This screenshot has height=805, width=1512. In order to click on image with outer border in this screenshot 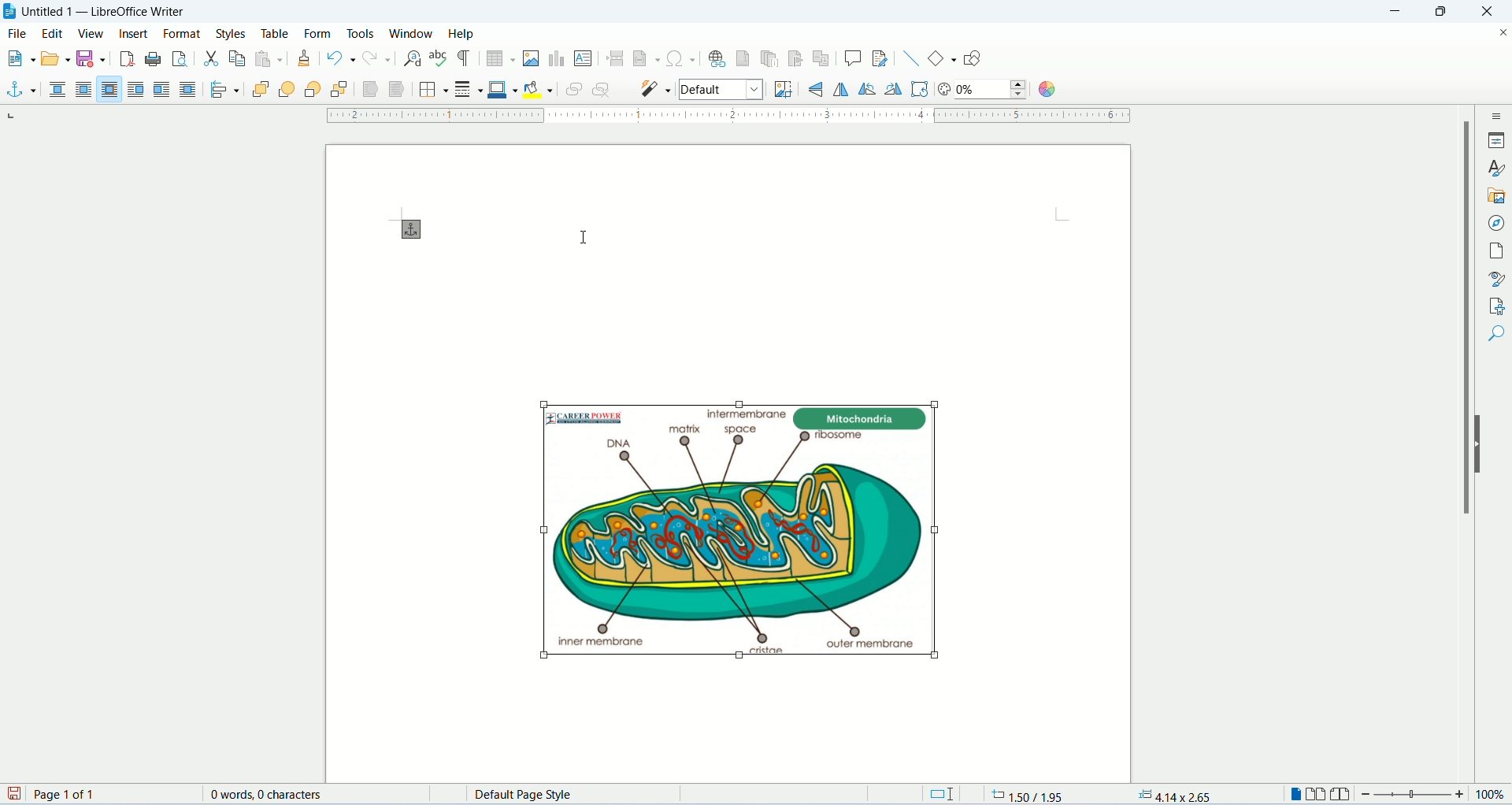, I will do `click(740, 525)`.